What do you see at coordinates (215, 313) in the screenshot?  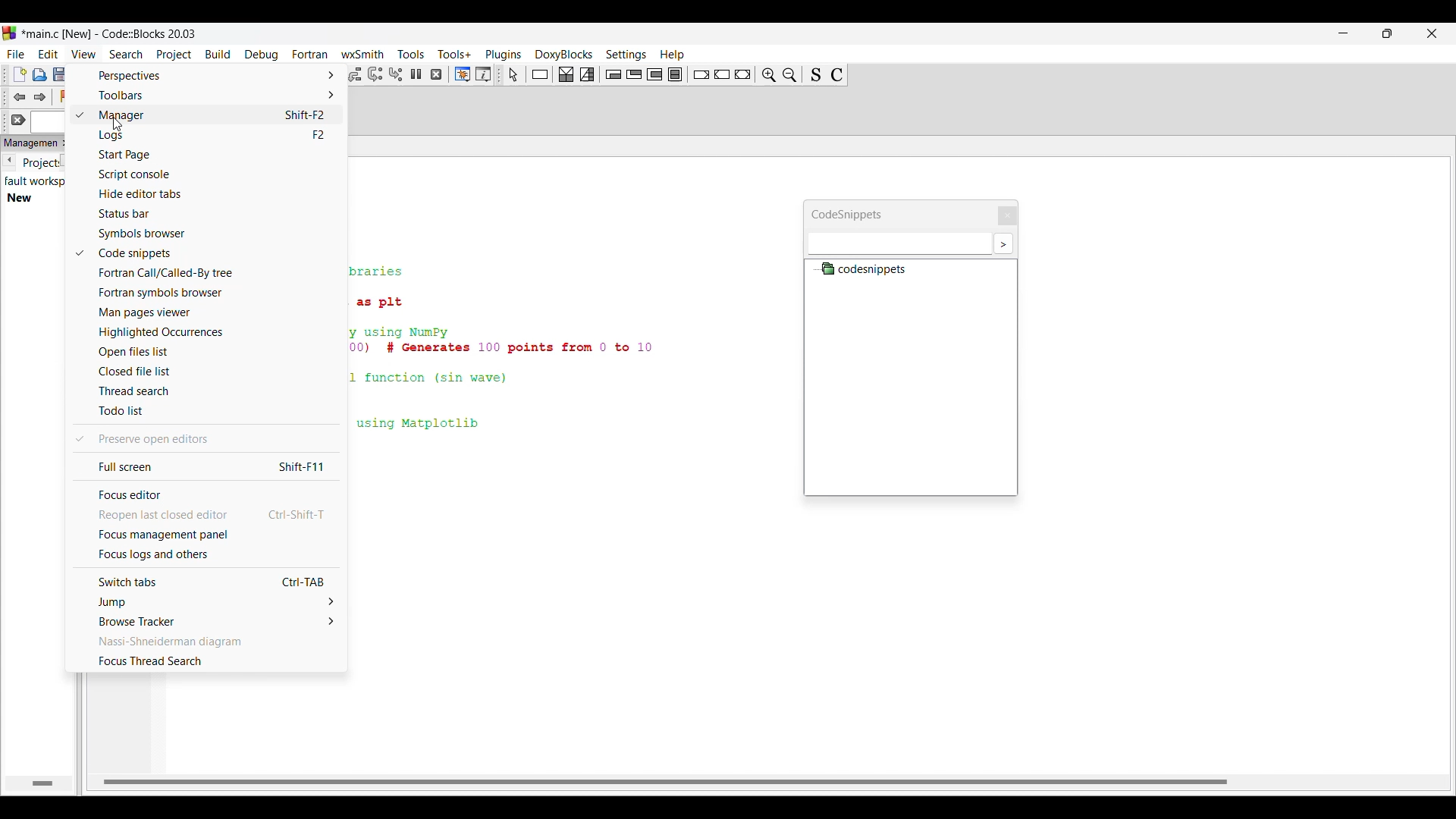 I see `Man pages viewer` at bounding box center [215, 313].